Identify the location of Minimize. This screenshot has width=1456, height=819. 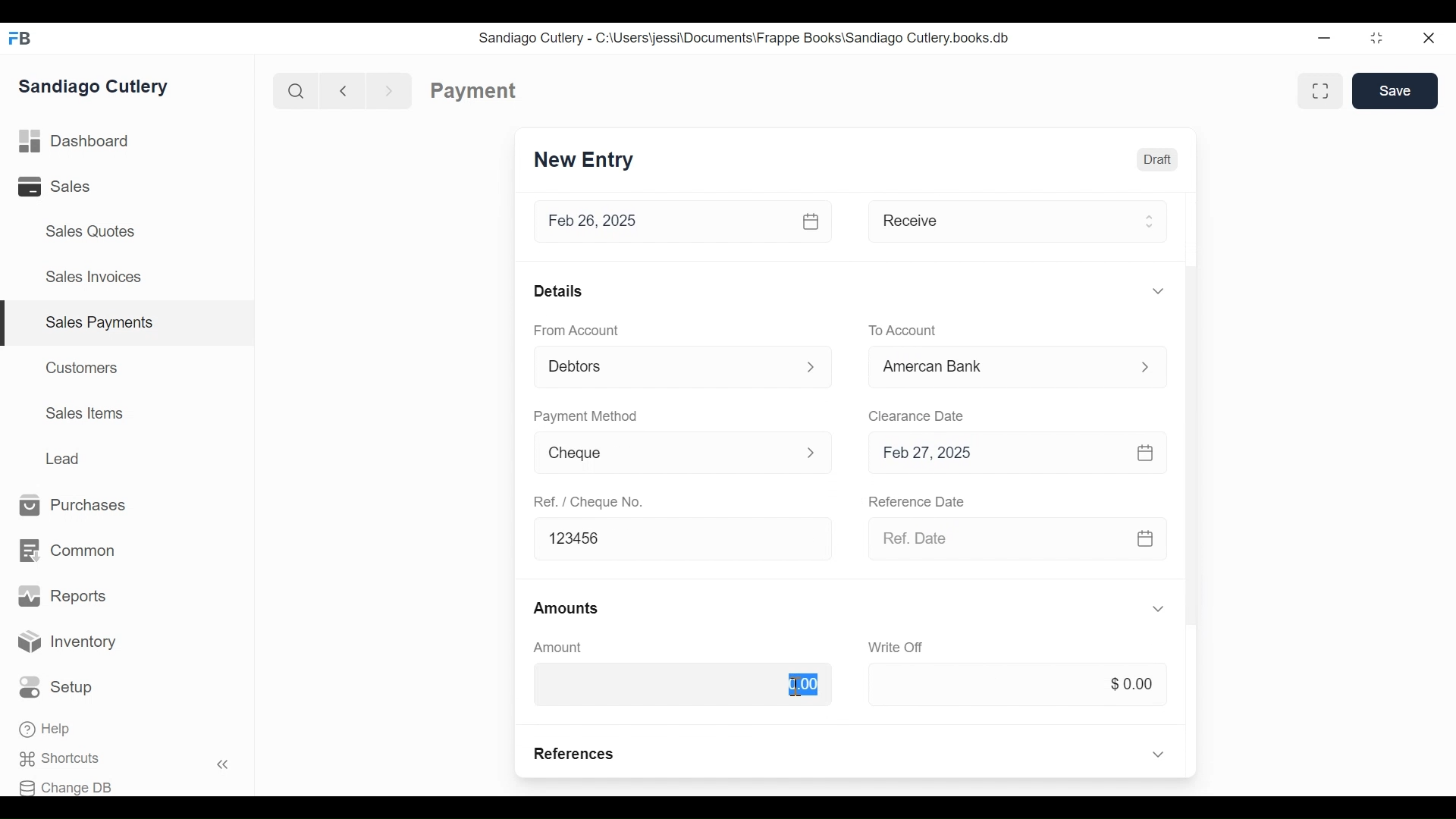
(1324, 39).